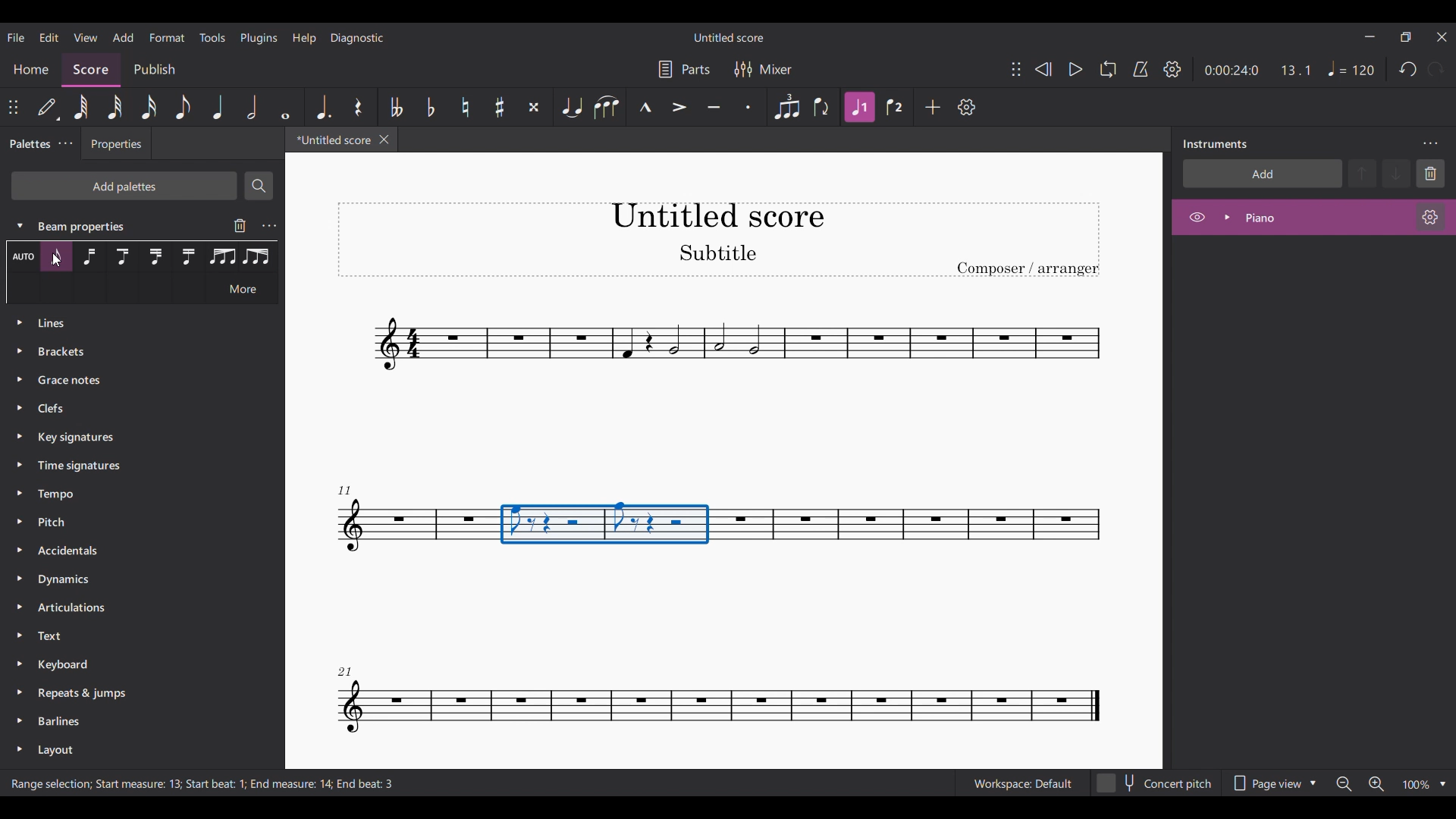 This screenshot has height=819, width=1456. Describe the element at coordinates (1021, 782) in the screenshot. I see `Workspace default` at that location.